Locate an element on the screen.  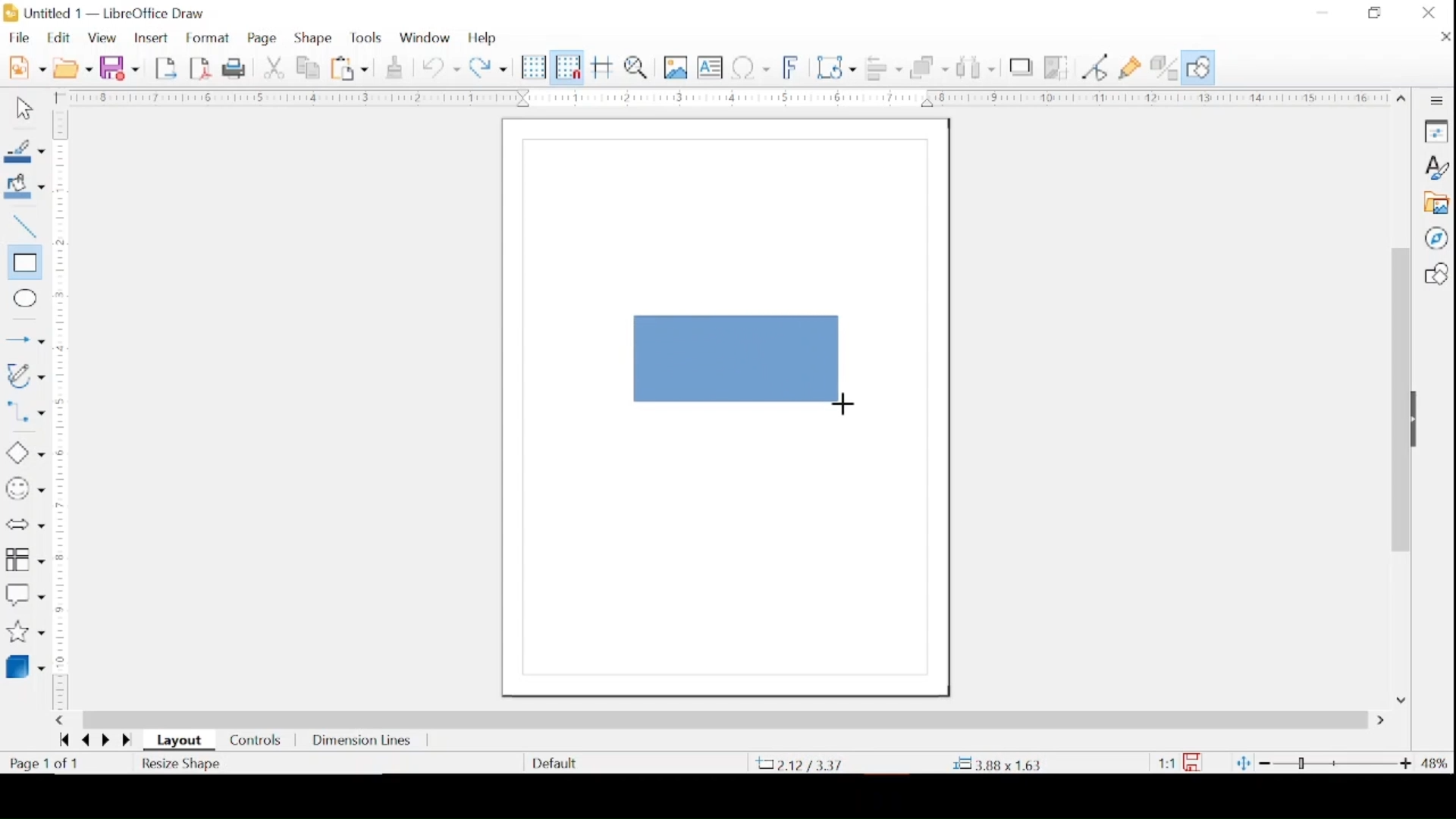
Resize Shape is located at coordinates (183, 764).